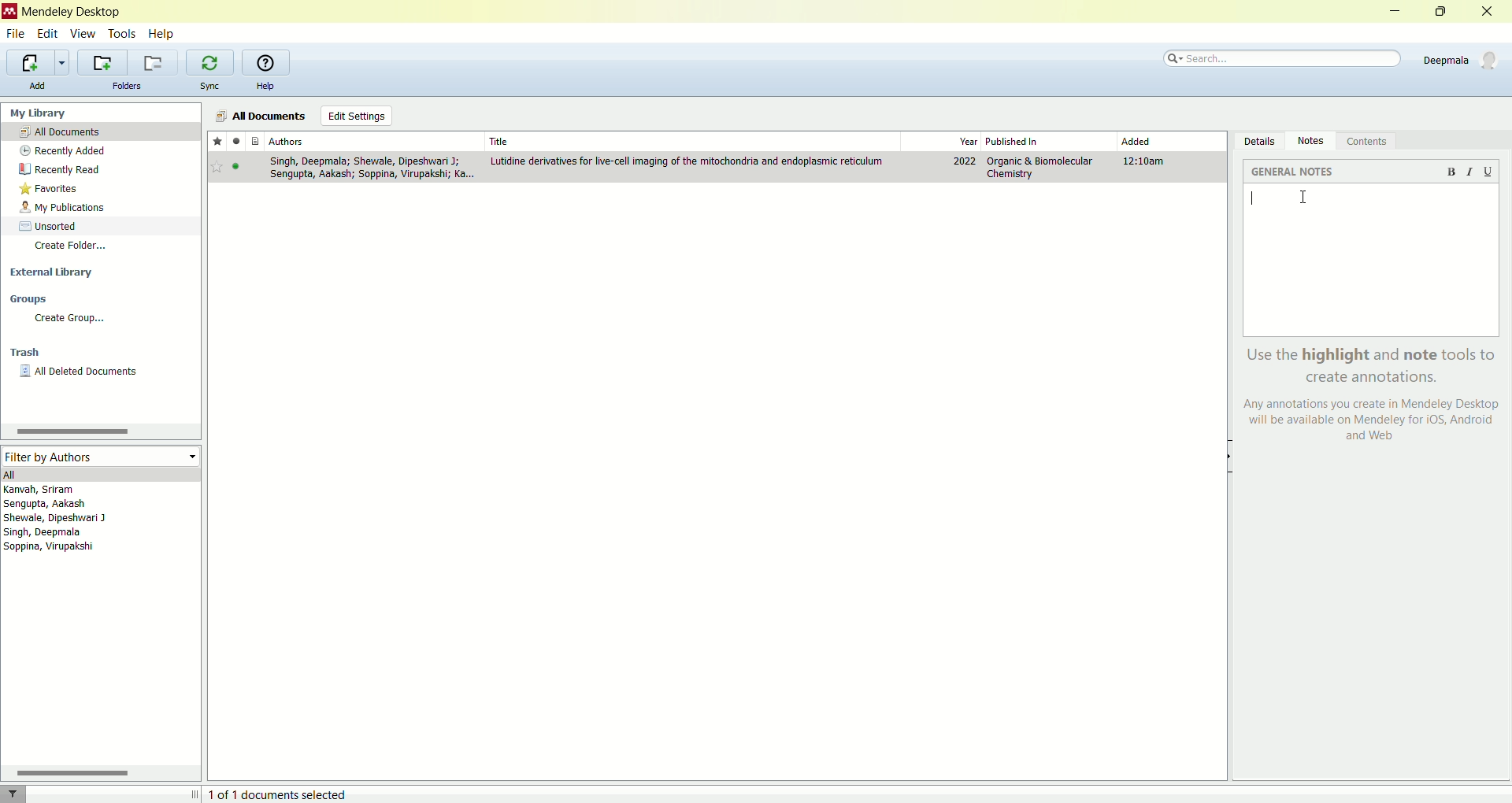 The image size is (1512, 803). Describe the element at coordinates (39, 61) in the screenshot. I see `import additional documents to the current collection` at that location.